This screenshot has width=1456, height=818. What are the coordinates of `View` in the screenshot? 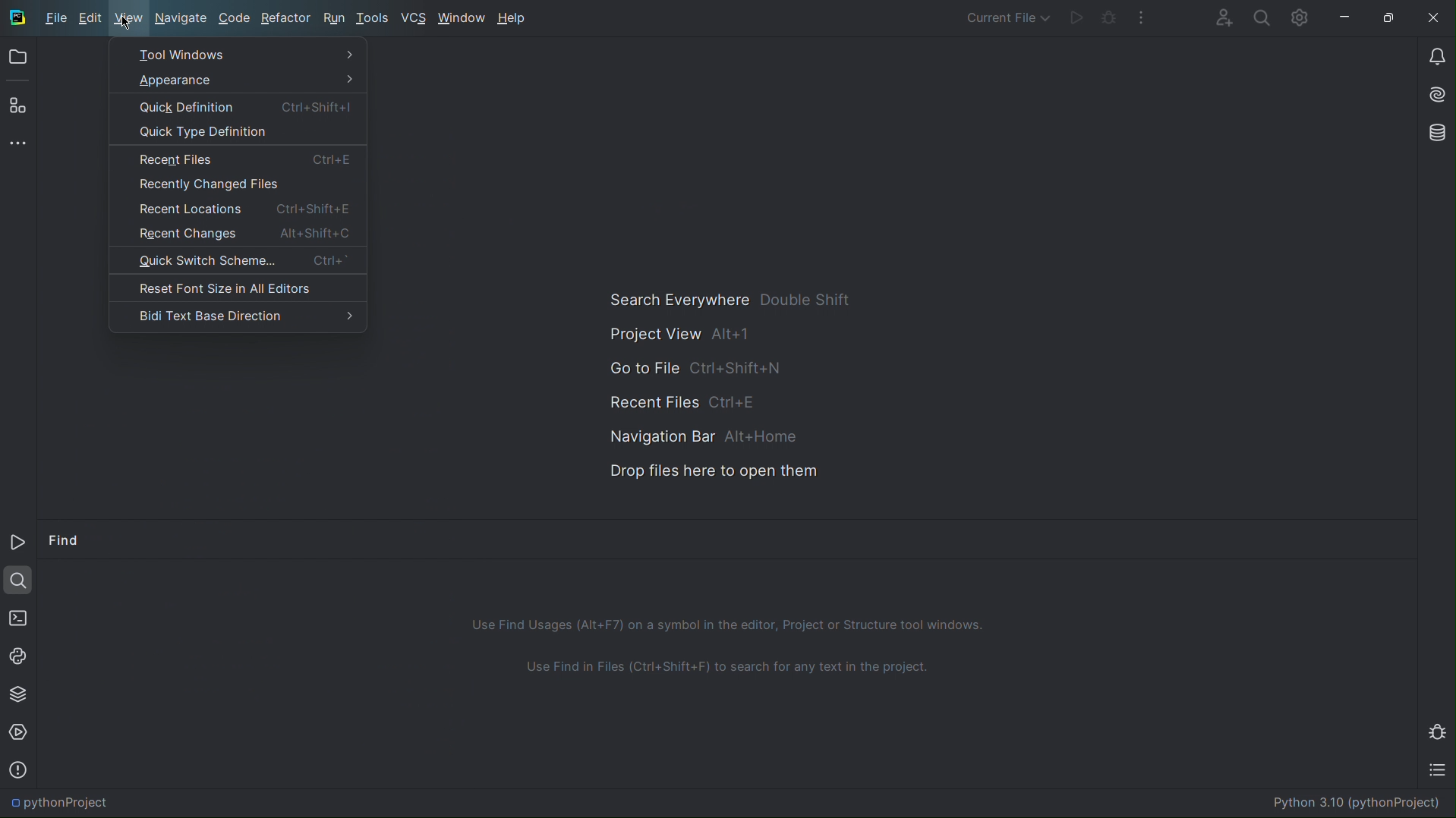 It's located at (129, 19).